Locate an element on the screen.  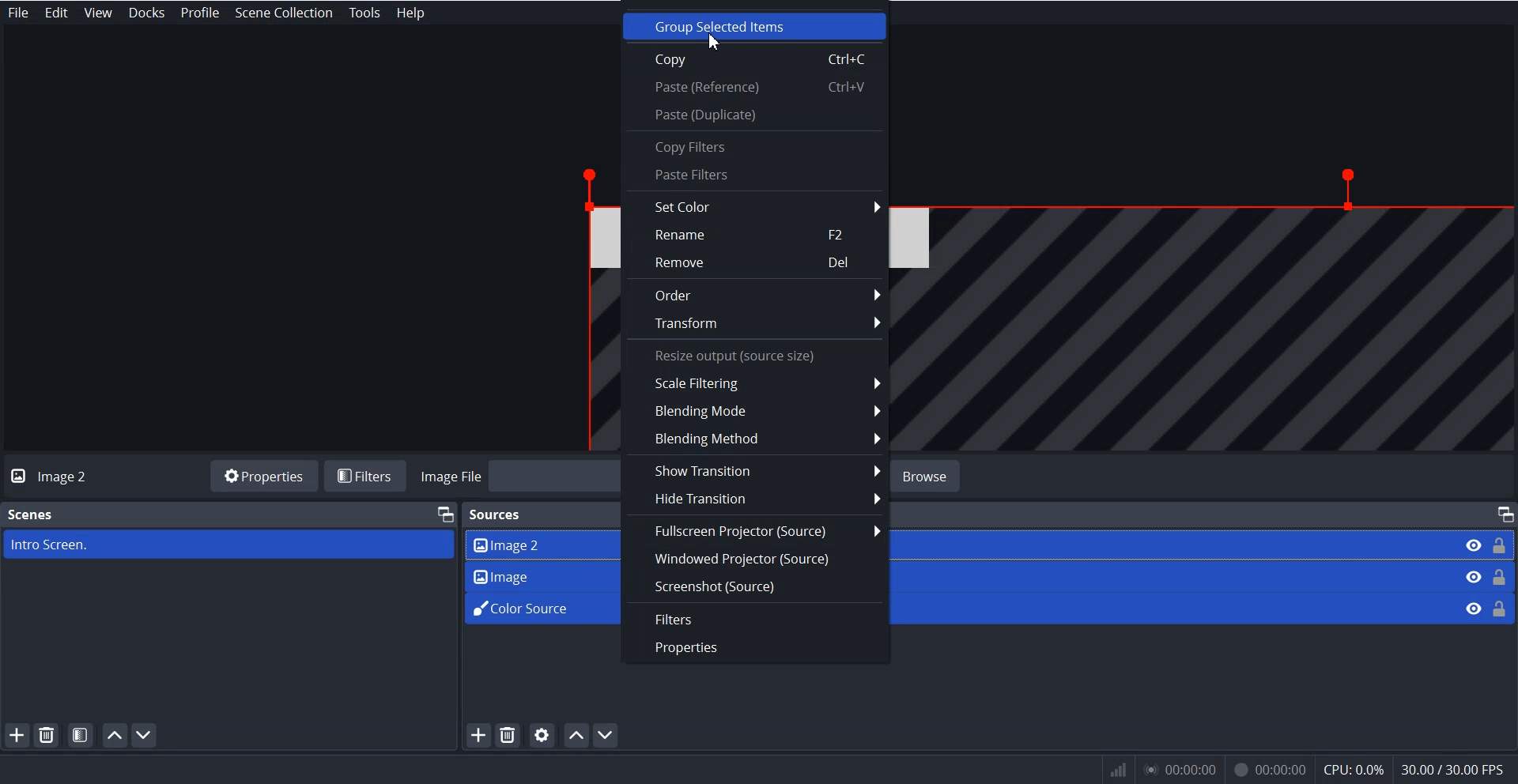
Color Source is located at coordinates (536, 606).